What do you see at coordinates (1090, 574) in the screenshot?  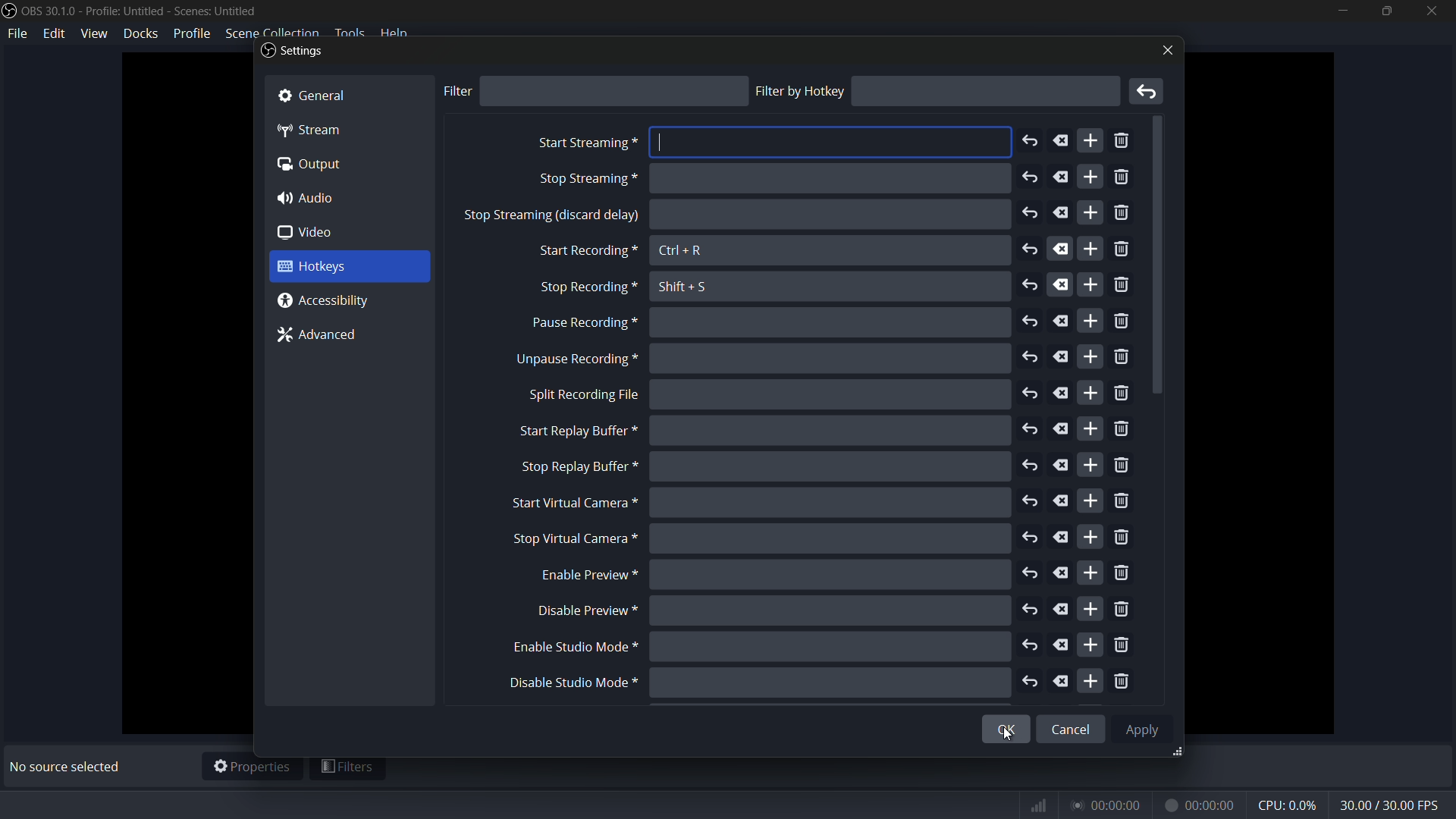 I see `add more` at bounding box center [1090, 574].